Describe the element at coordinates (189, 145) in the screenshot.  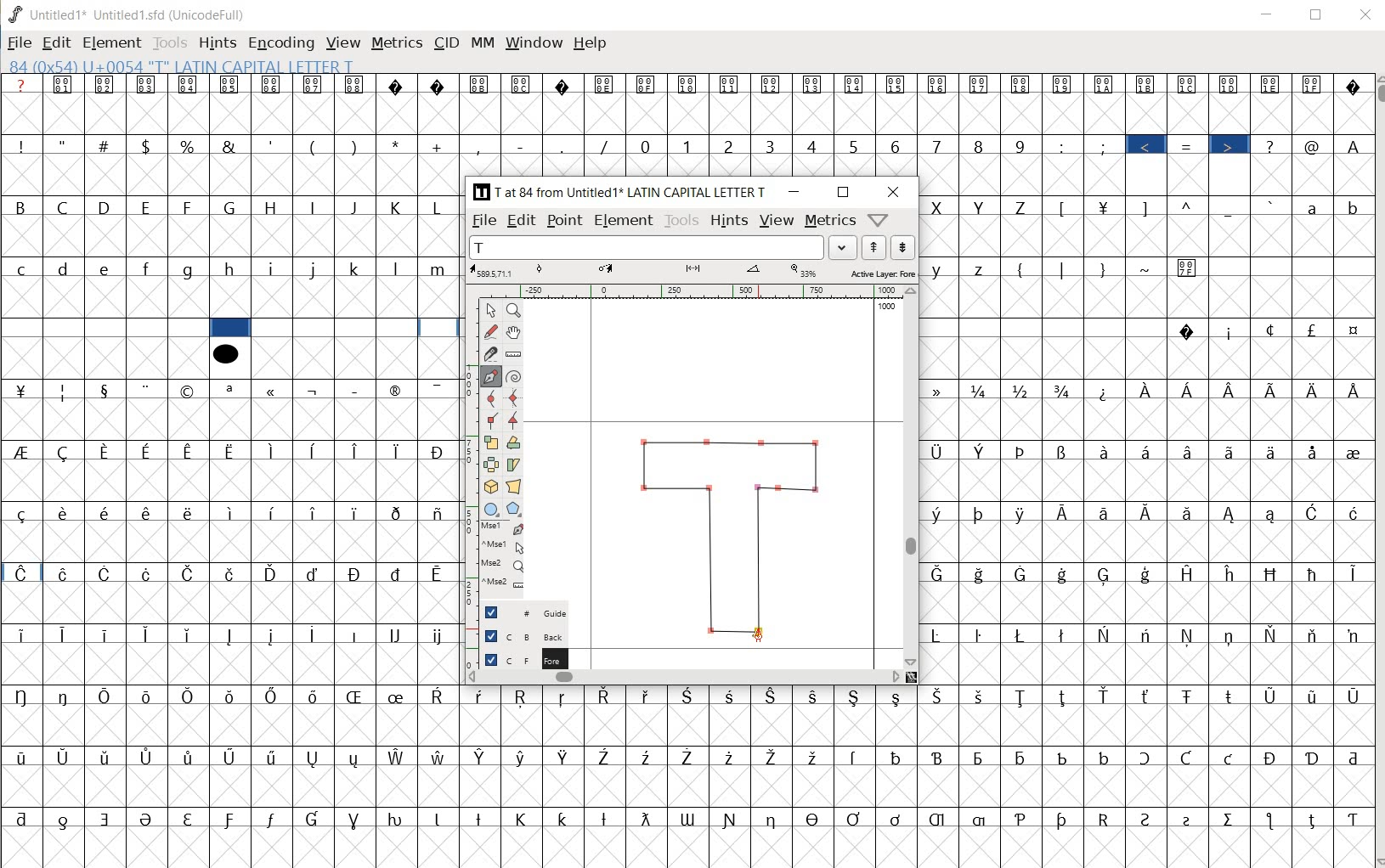
I see `%` at that location.